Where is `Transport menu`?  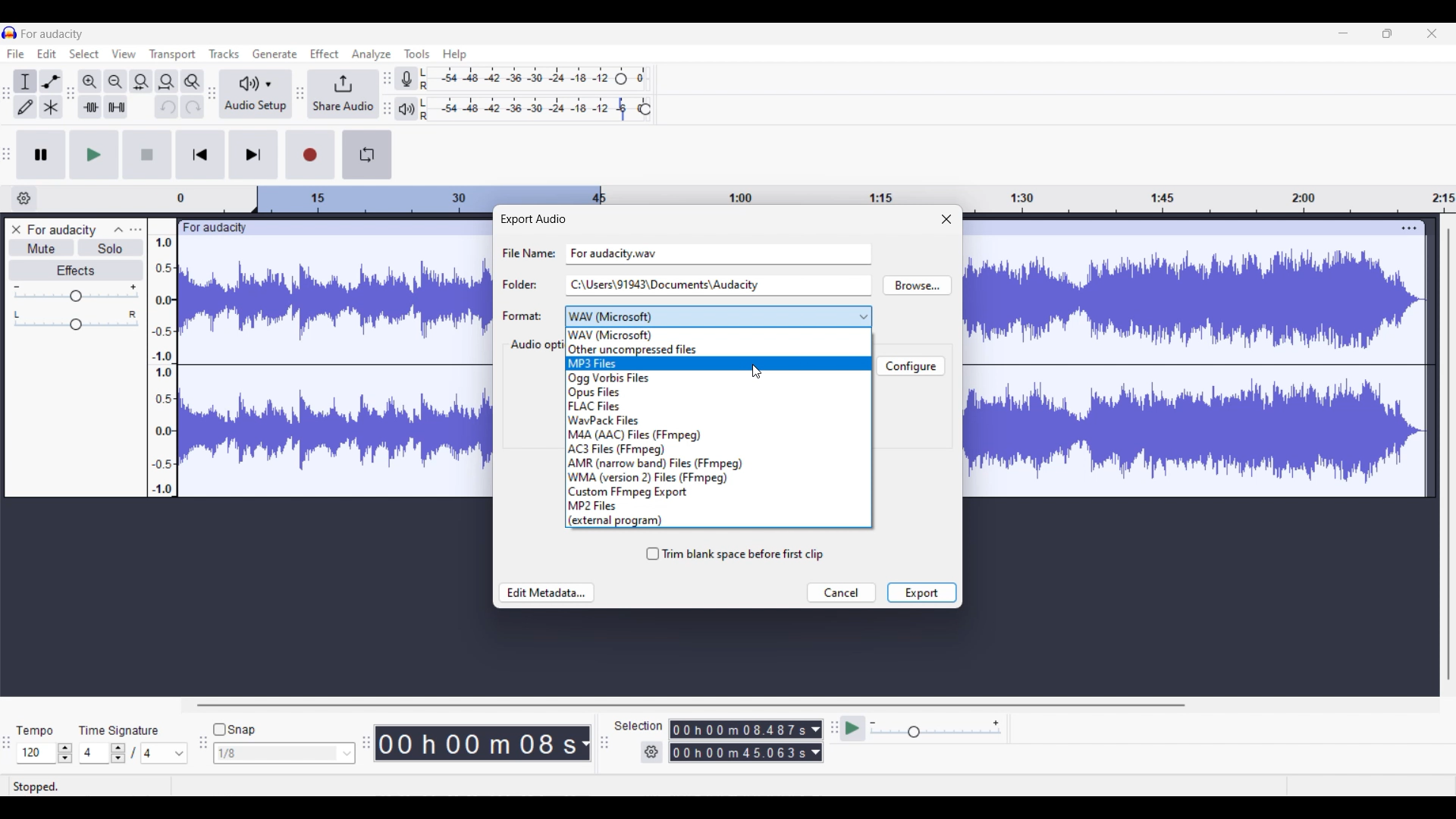 Transport menu is located at coordinates (173, 55).